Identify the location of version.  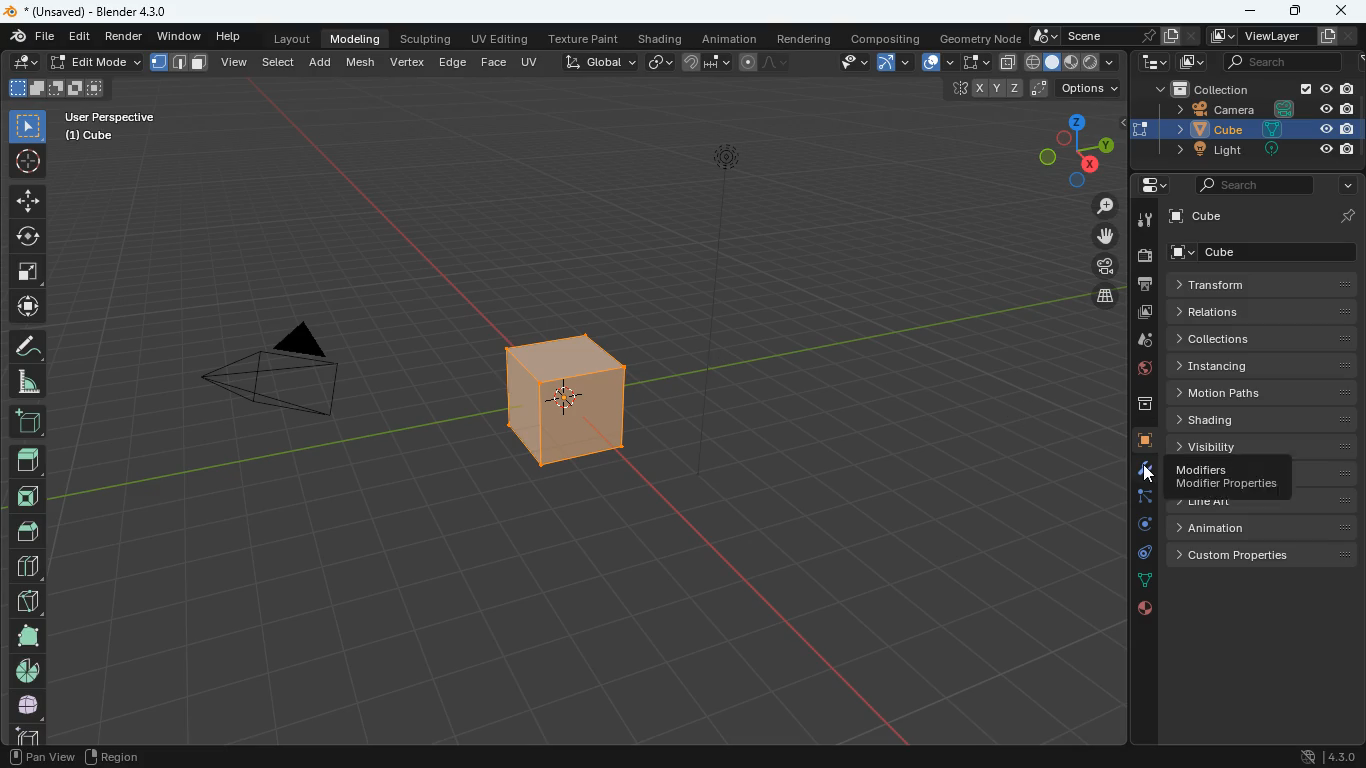
(1328, 755).